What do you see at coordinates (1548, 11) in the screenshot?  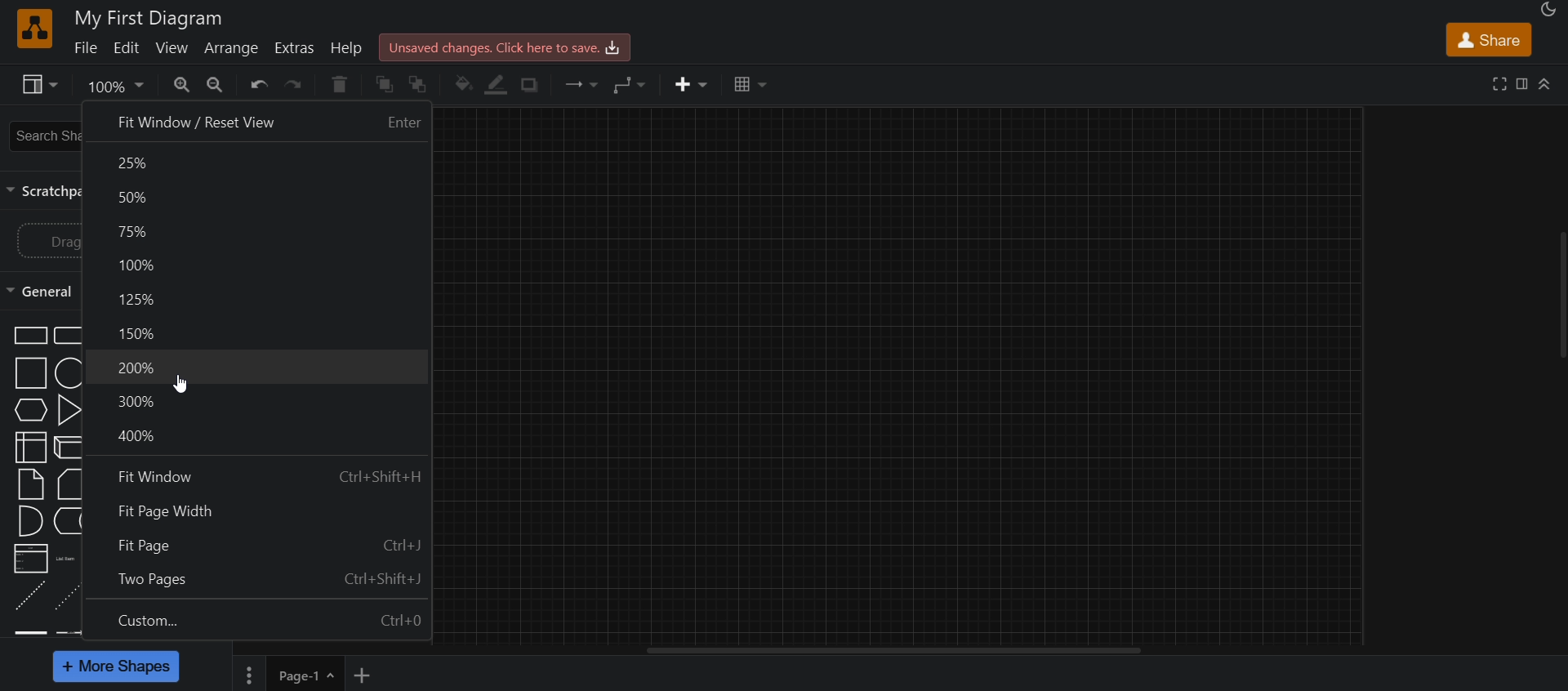 I see `appearance` at bounding box center [1548, 11].